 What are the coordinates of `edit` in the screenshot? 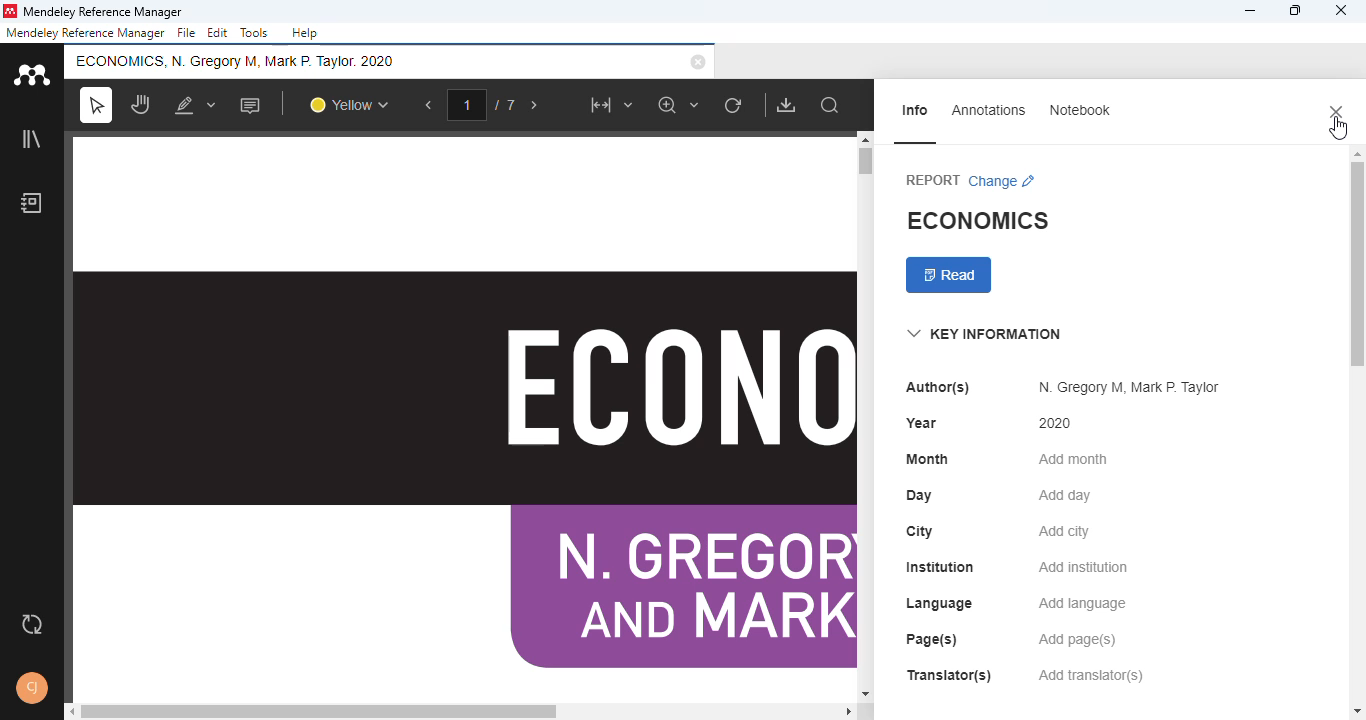 It's located at (218, 33).